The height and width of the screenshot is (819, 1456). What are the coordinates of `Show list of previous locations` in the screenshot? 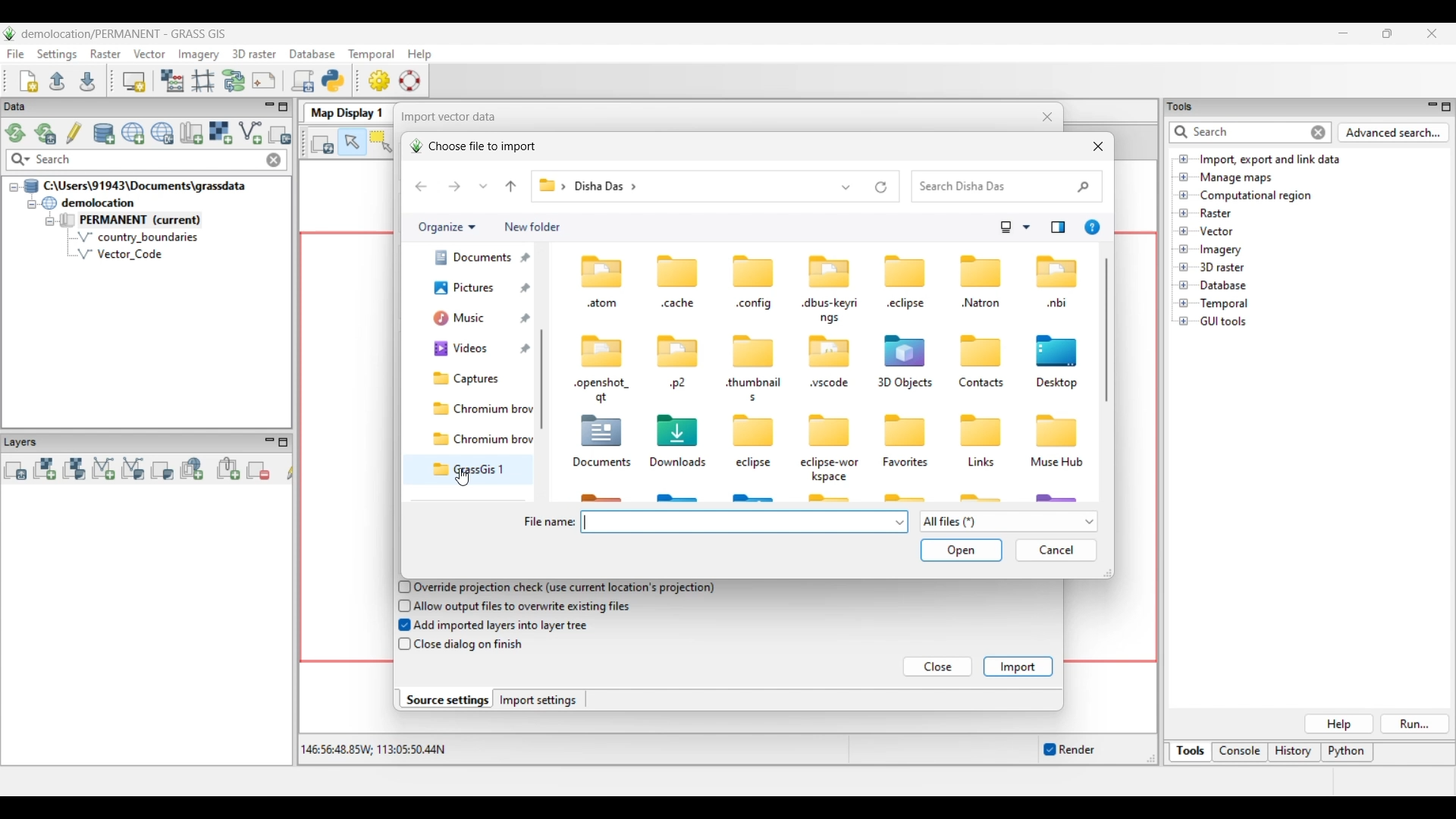 It's located at (847, 187).